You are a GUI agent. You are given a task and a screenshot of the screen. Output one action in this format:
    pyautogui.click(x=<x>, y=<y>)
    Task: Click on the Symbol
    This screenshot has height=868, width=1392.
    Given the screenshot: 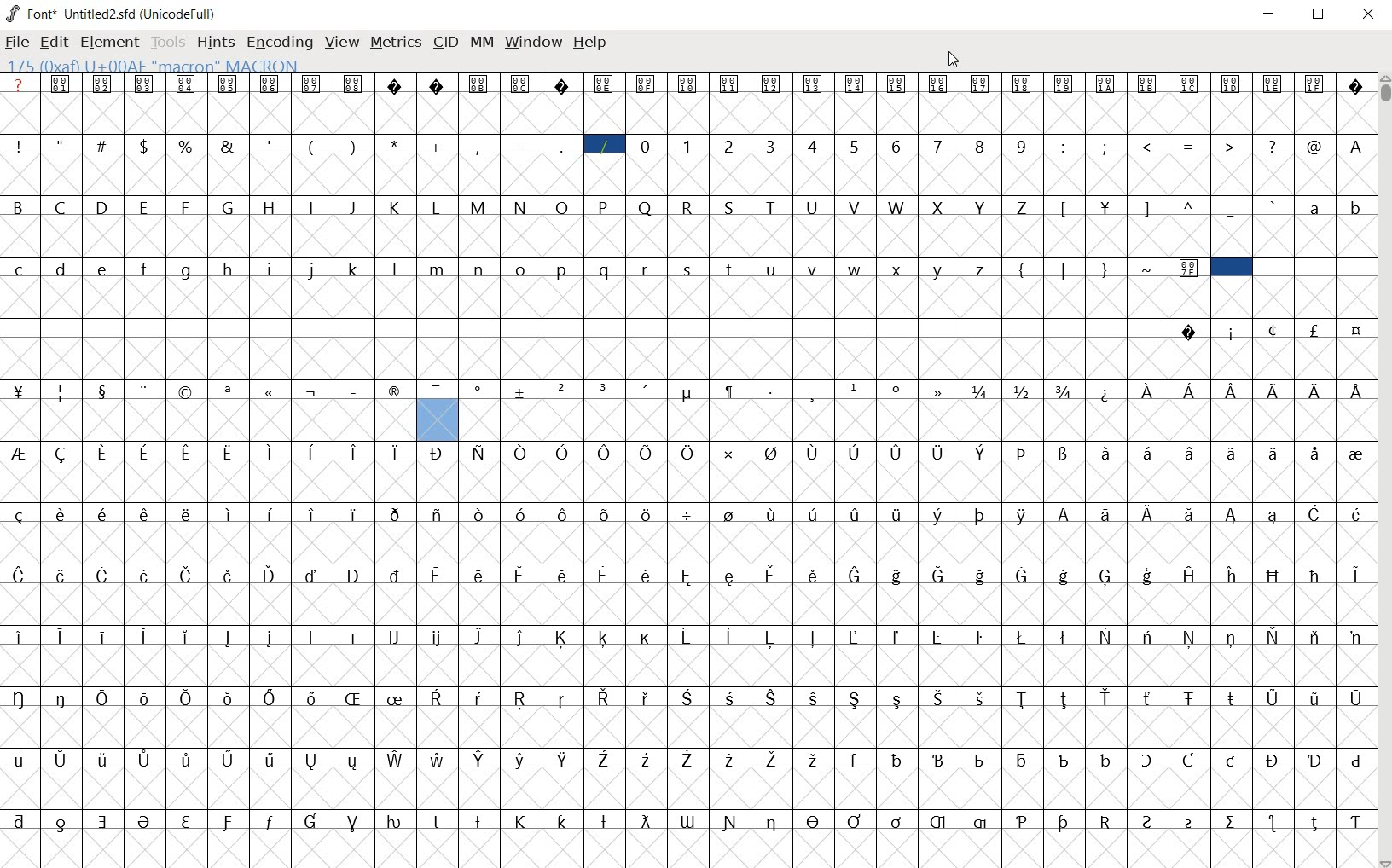 What is the action you would take?
    pyautogui.click(x=1066, y=698)
    